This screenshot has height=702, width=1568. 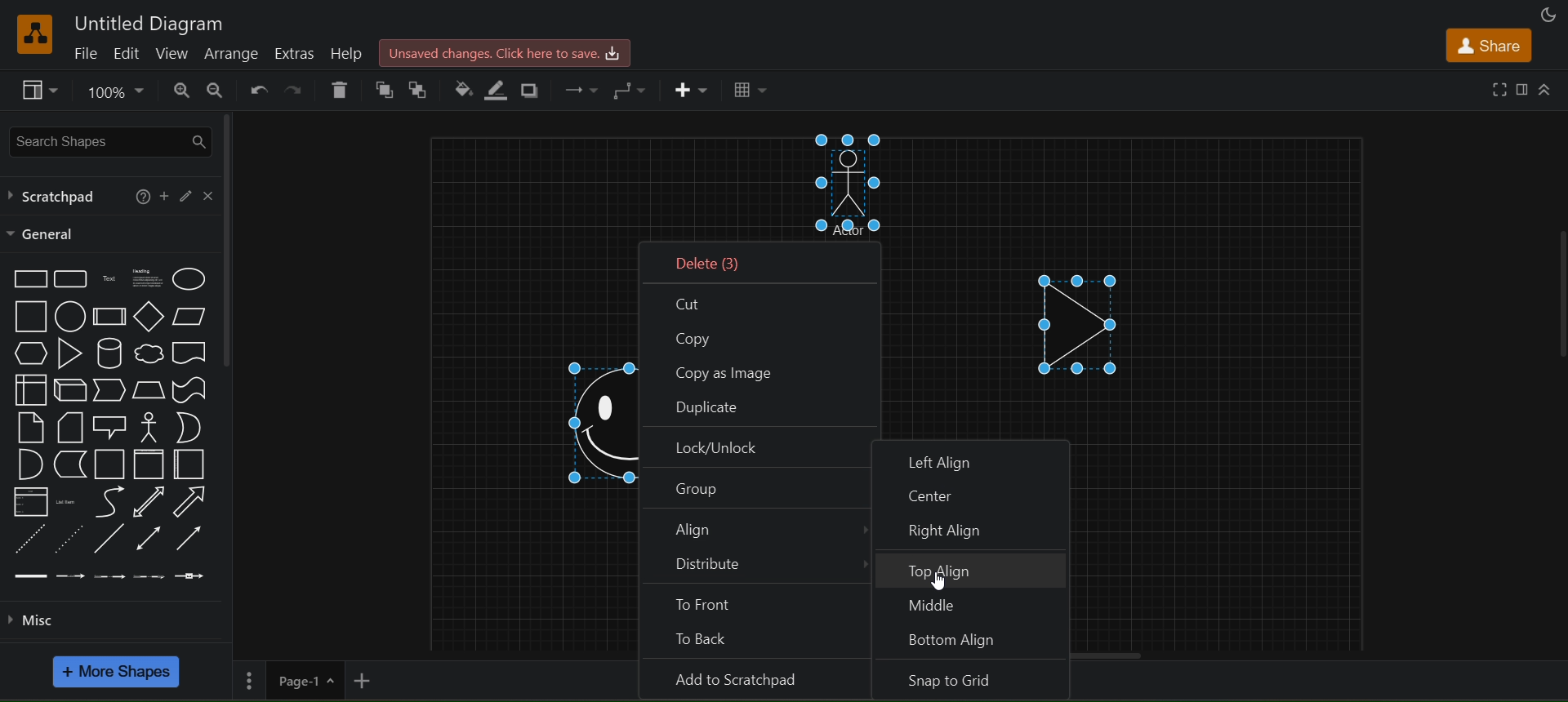 What do you see at coordinates (71, 279) in the screenshot?
I see `rounded rectangle` at bounding box center [71, 279].